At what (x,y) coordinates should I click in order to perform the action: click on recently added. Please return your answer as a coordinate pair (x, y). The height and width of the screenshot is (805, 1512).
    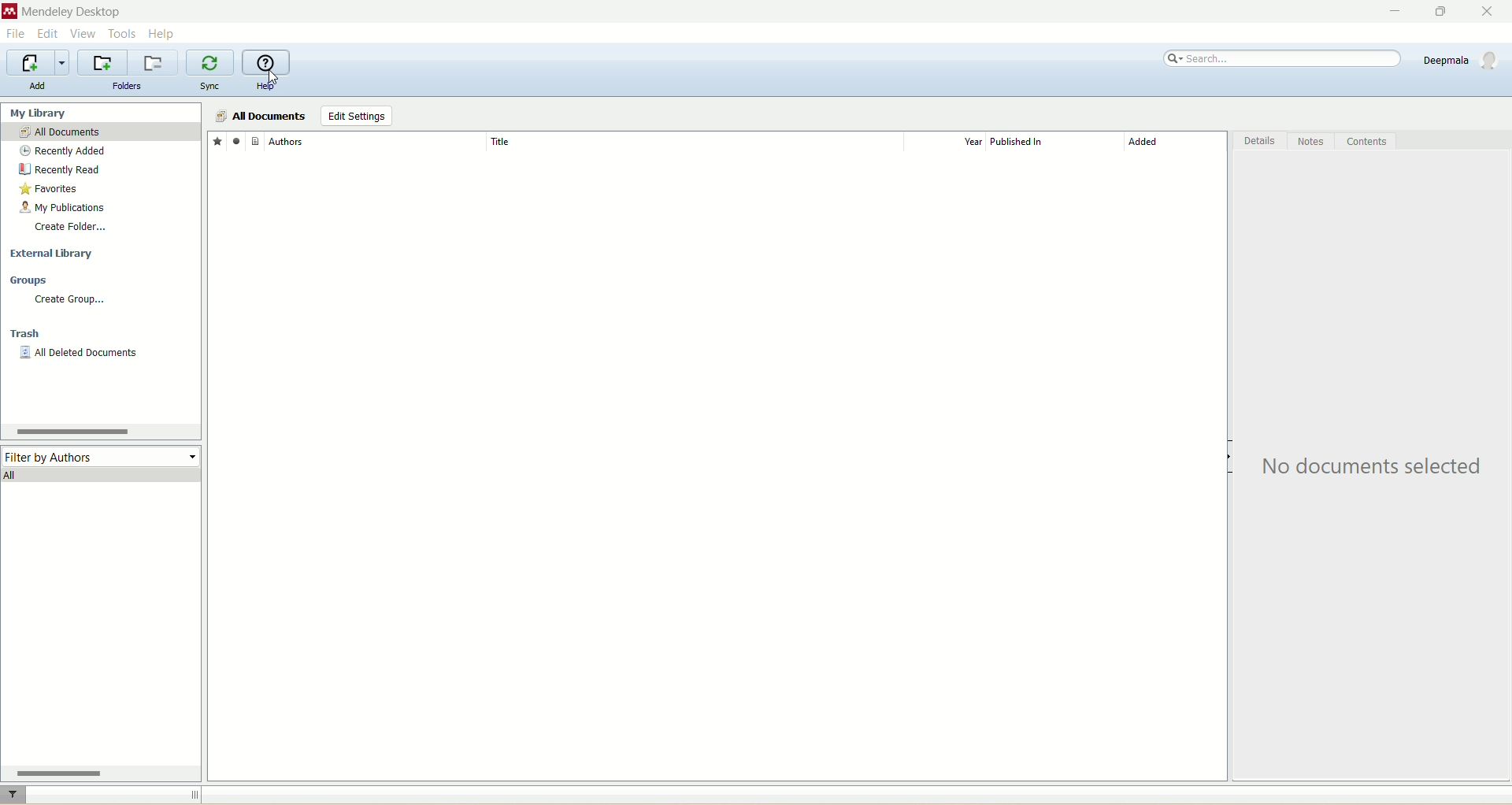
    Looking at the image, I should click on (62, 152).